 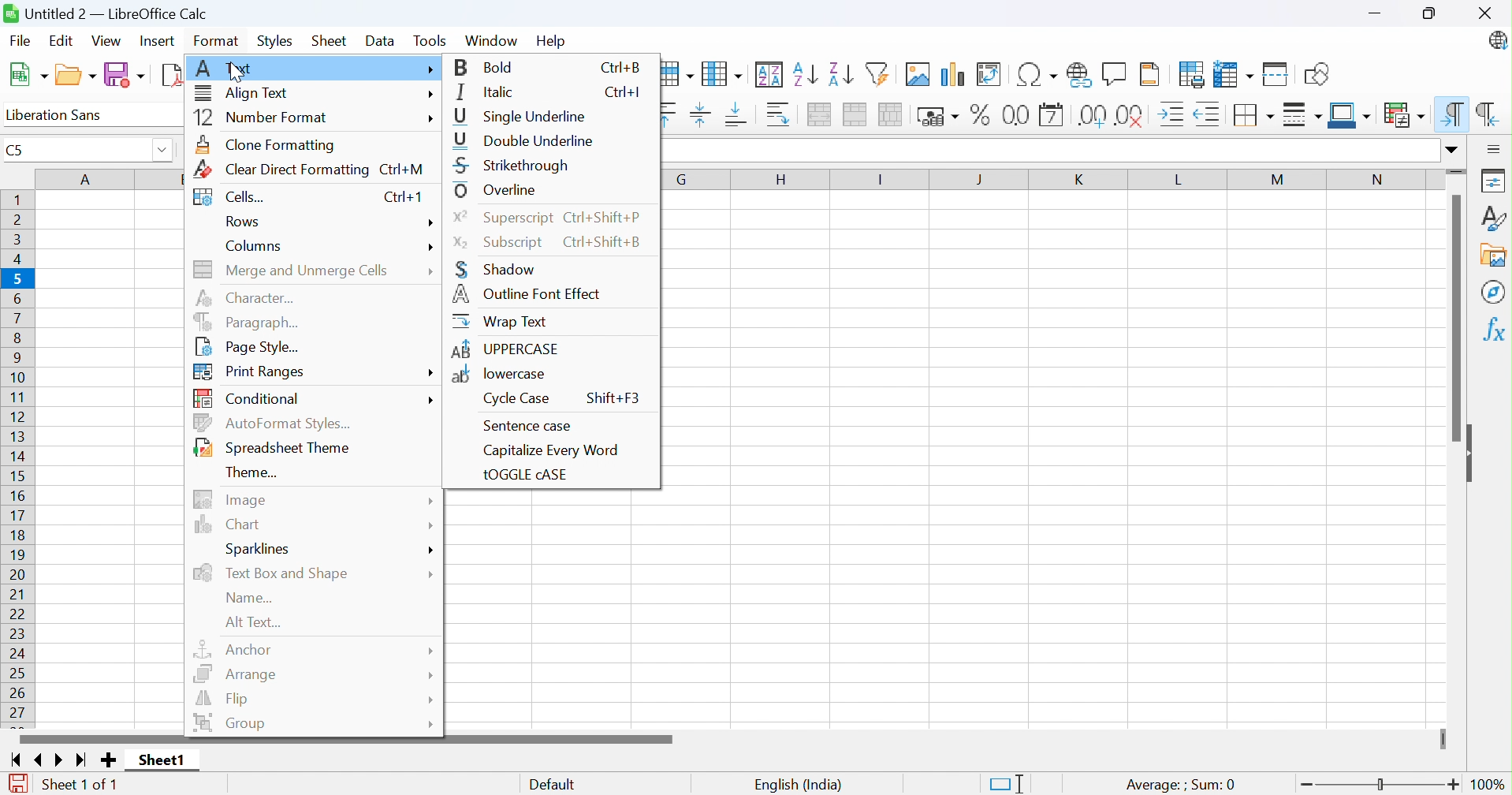 What do you see at coordinates (779, 114) in the screenshot?
I see `Wrap text` at bounding box center [779, 114].